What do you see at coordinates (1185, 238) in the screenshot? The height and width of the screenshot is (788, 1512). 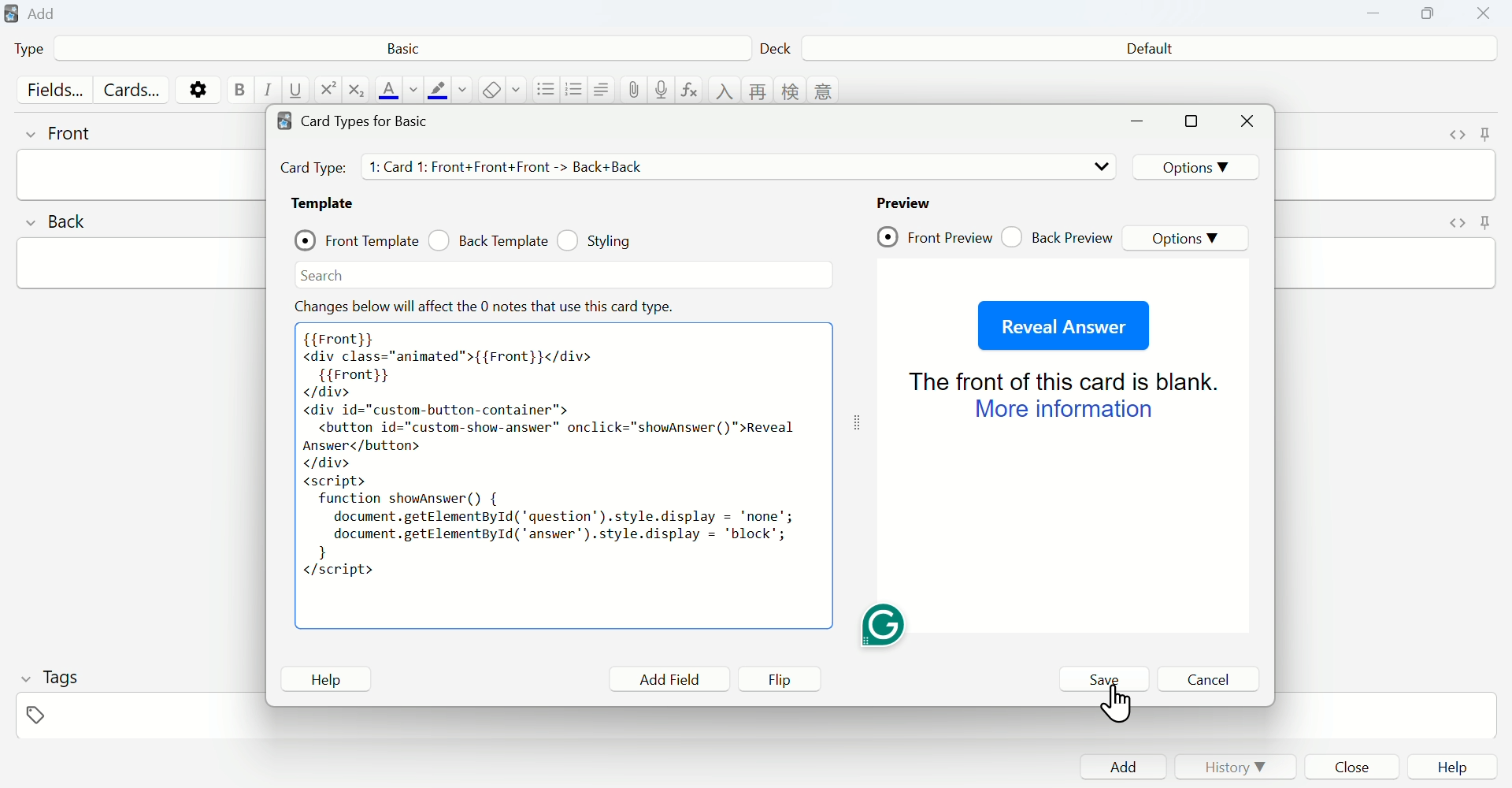 I see `Options` at bounding box center [1185, 238].